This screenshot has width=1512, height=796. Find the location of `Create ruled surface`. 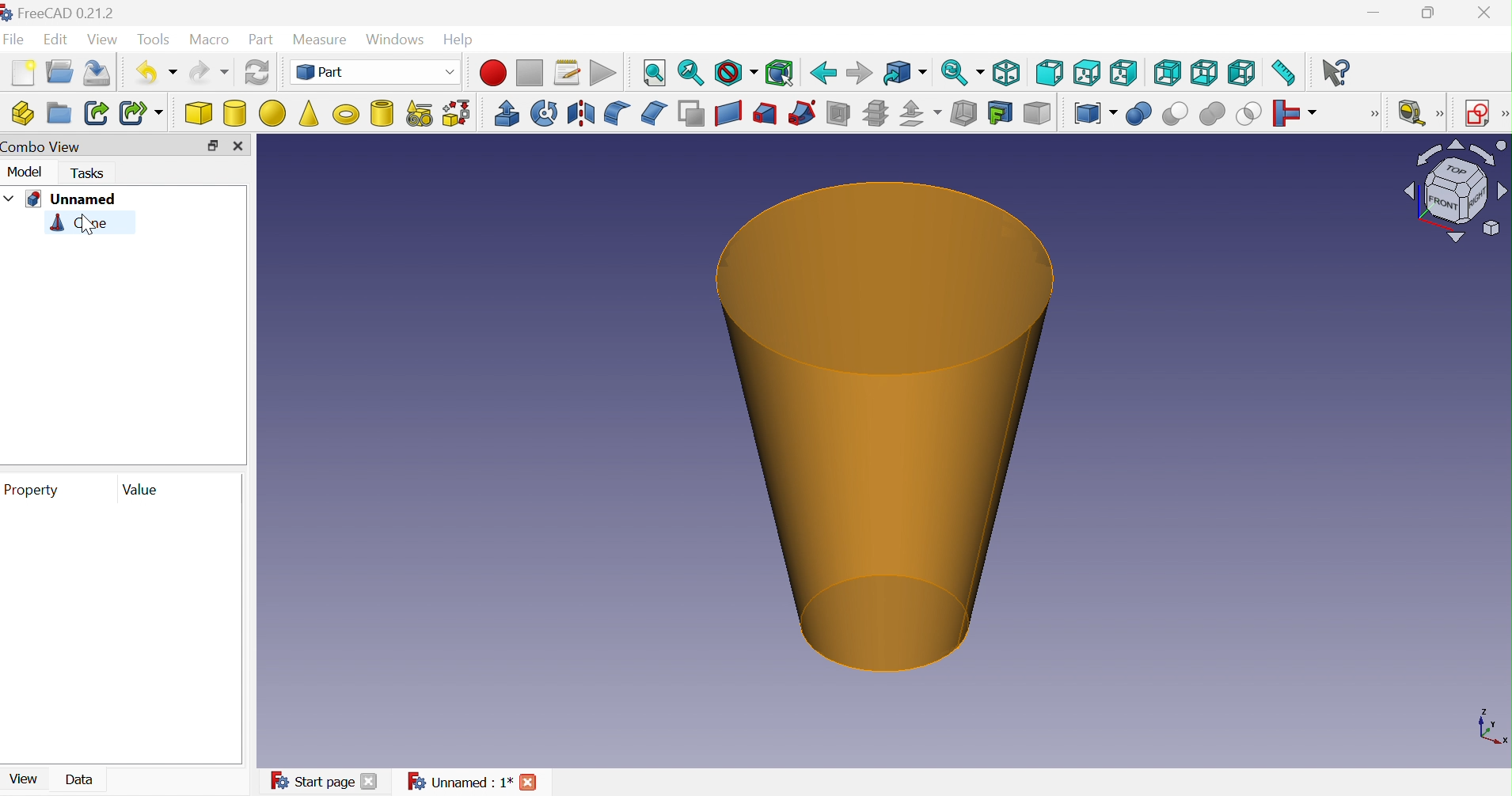

Create ruled surface is located at coordinates (728, 114).